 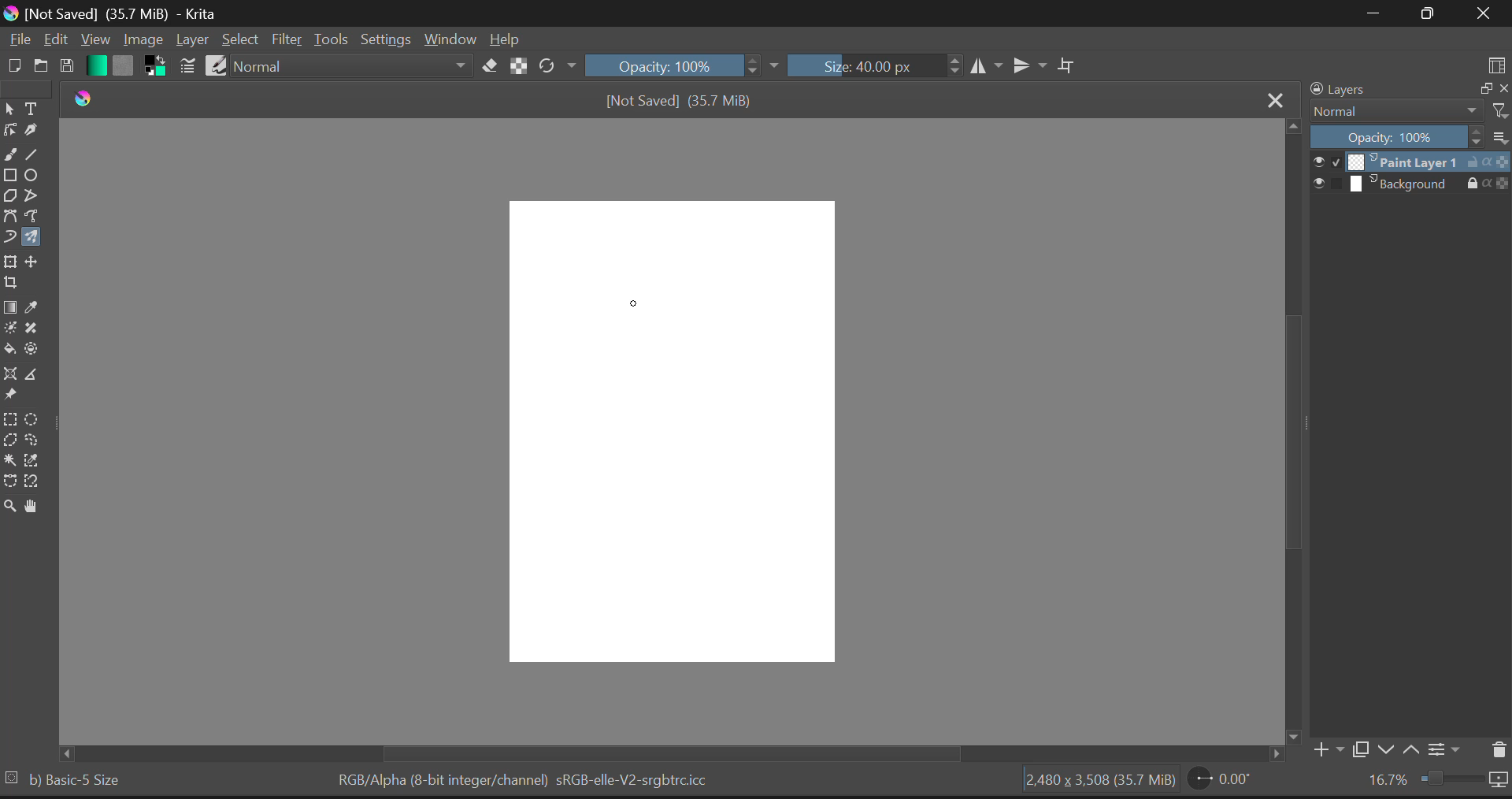 What do you see at coordinates (38, 418) in the screenshot?
I see `Circular Selection` at bounding box center [38, 418].